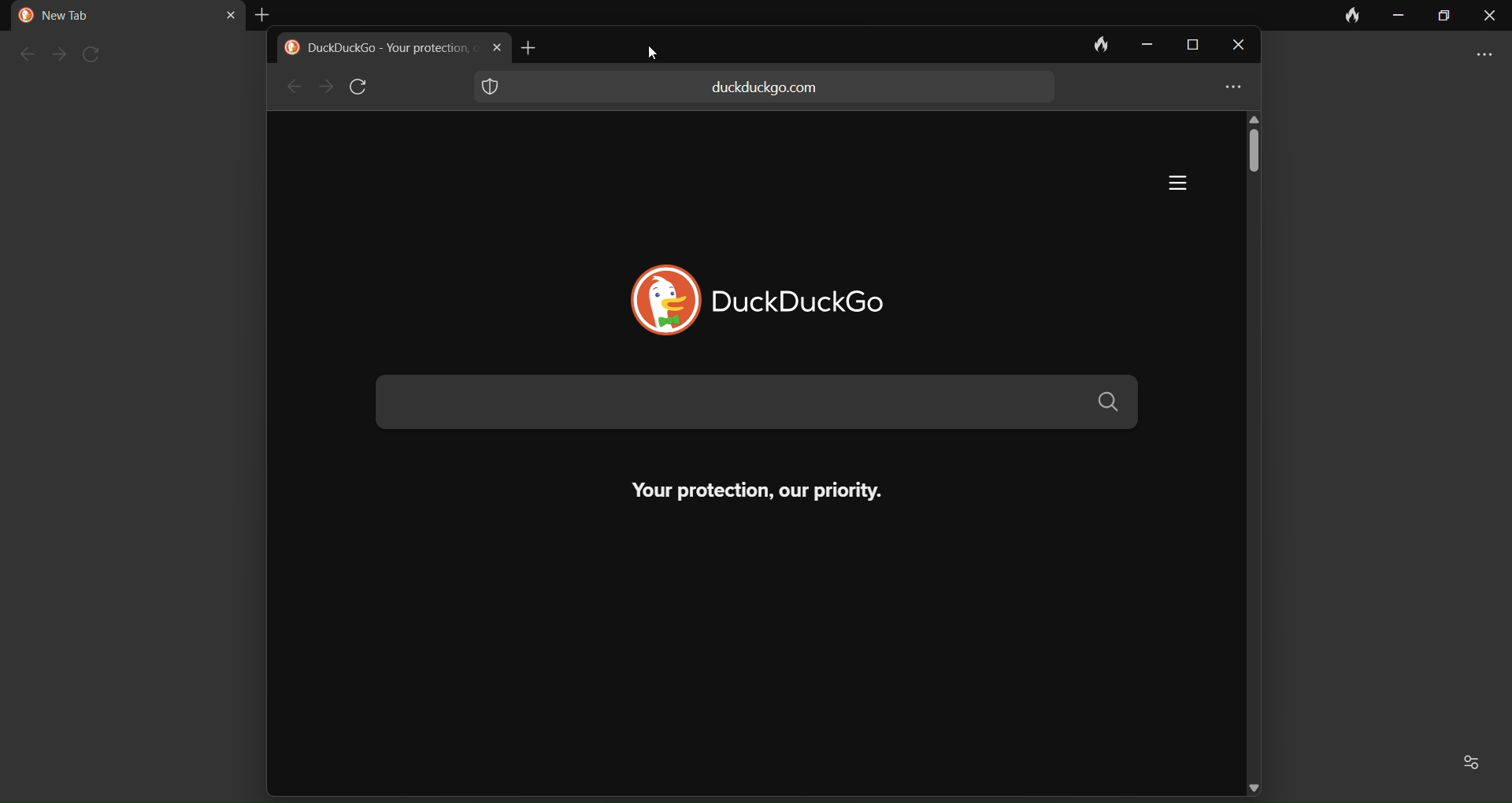 The width and height of the screenshot is (1512, 803). What do you see at coordinates (765, 87) in the screenshot?
I see `duckdukgo.com` at bounding box center [765, 87].